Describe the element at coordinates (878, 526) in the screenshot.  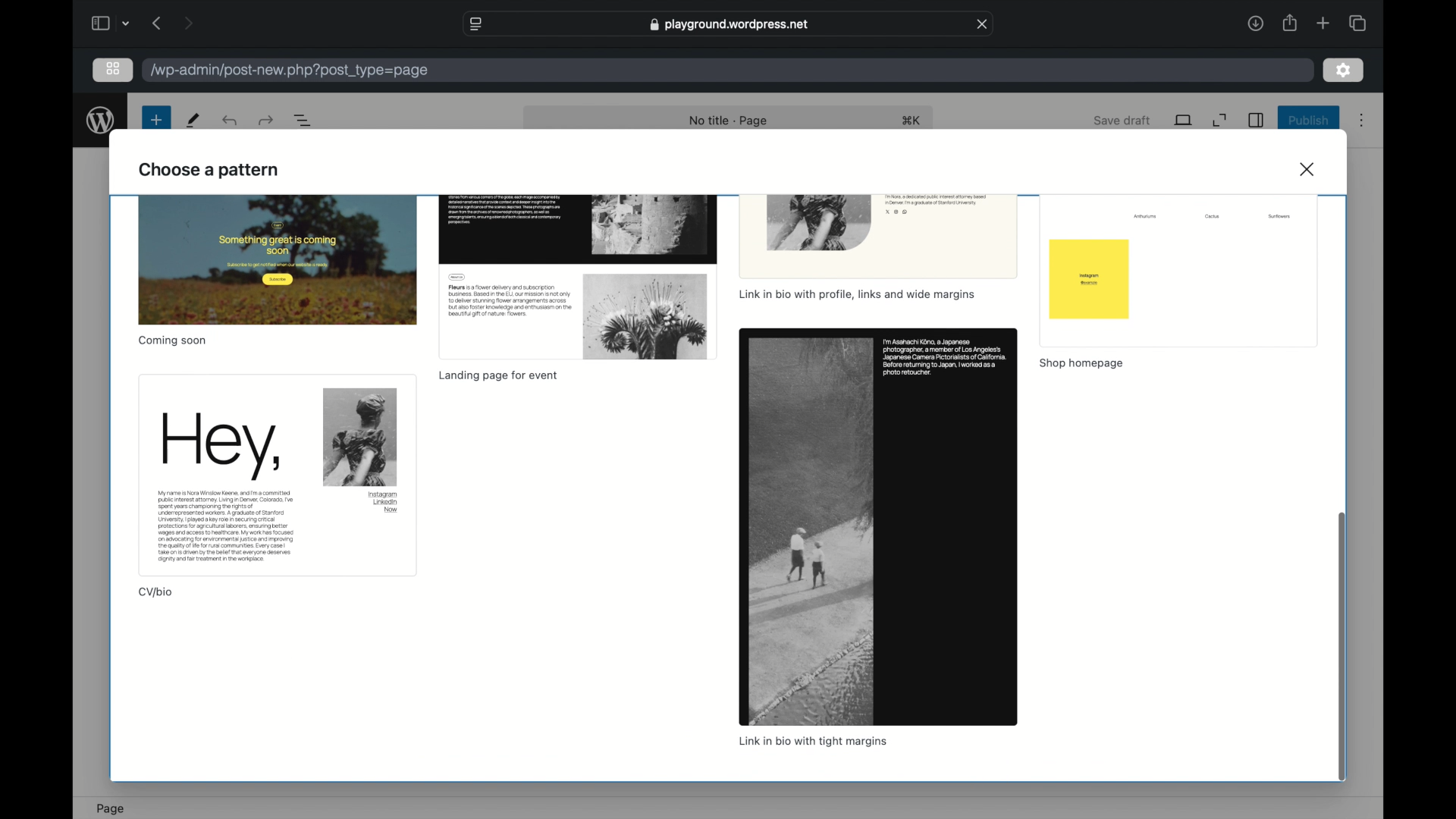
I see `preview` at that location.